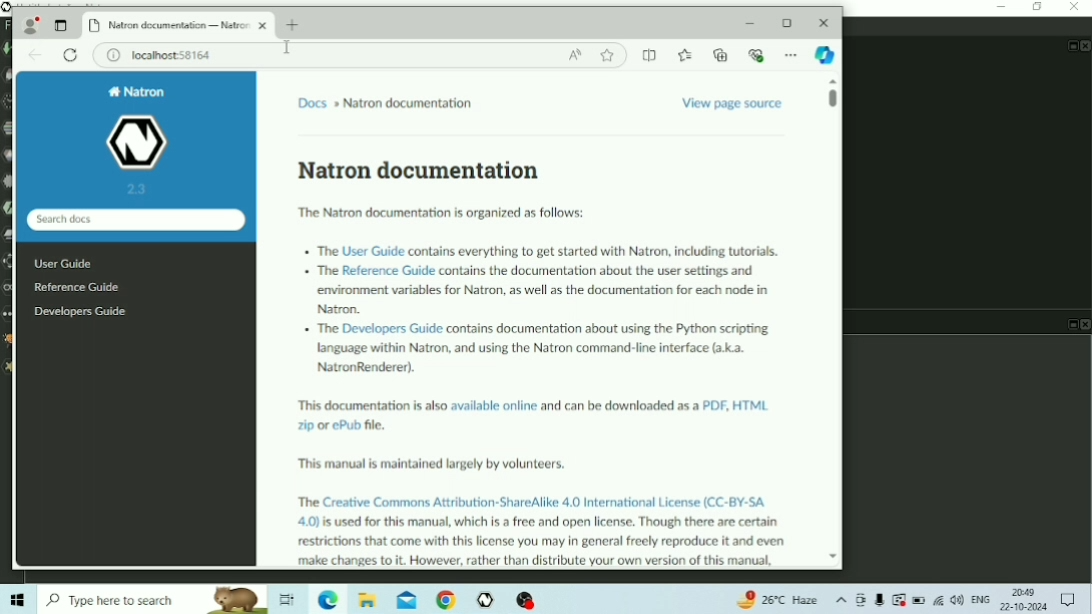 Image resolution: width=1092 pixels, height=614 pixels. What do you see at coordinates (407, 599) in the screenshot?
I see `Mail` at bounding box center [407, 599].